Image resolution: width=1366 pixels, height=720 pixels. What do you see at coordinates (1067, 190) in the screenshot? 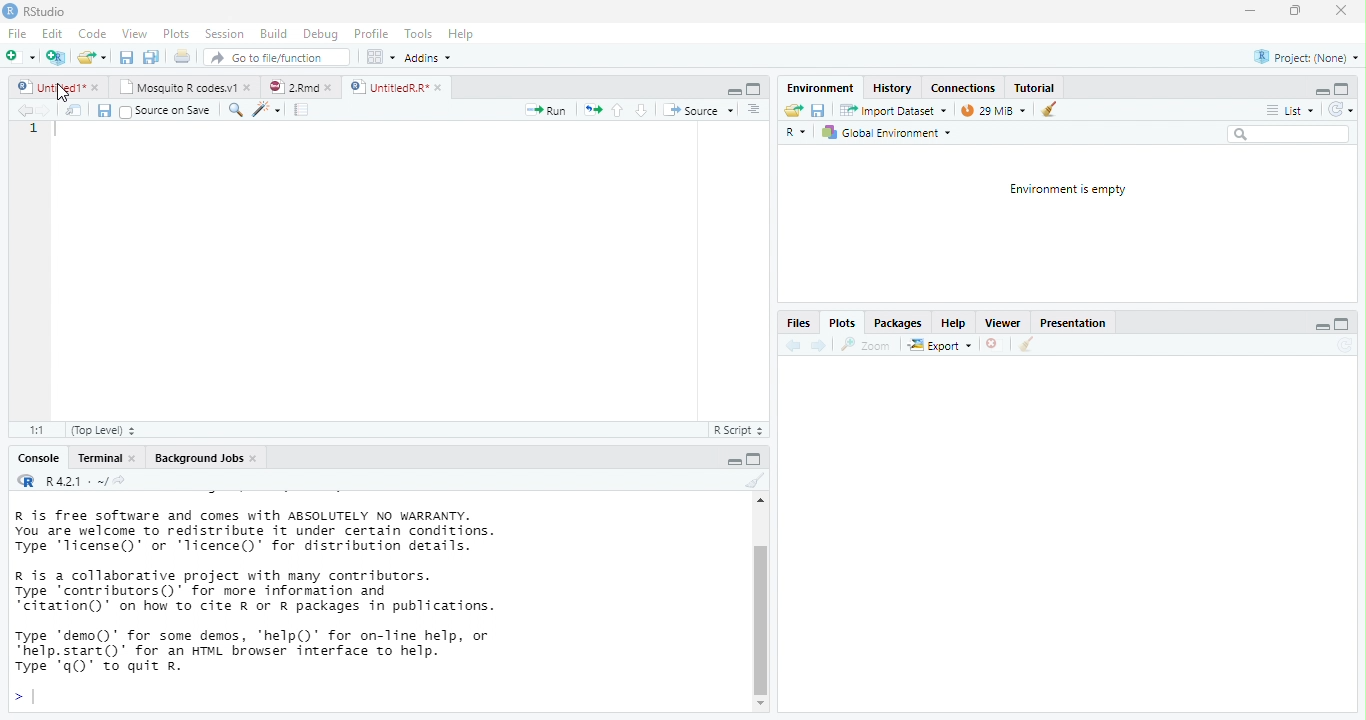
I see `Environment is empty.` at bounding box center [1067, 190].